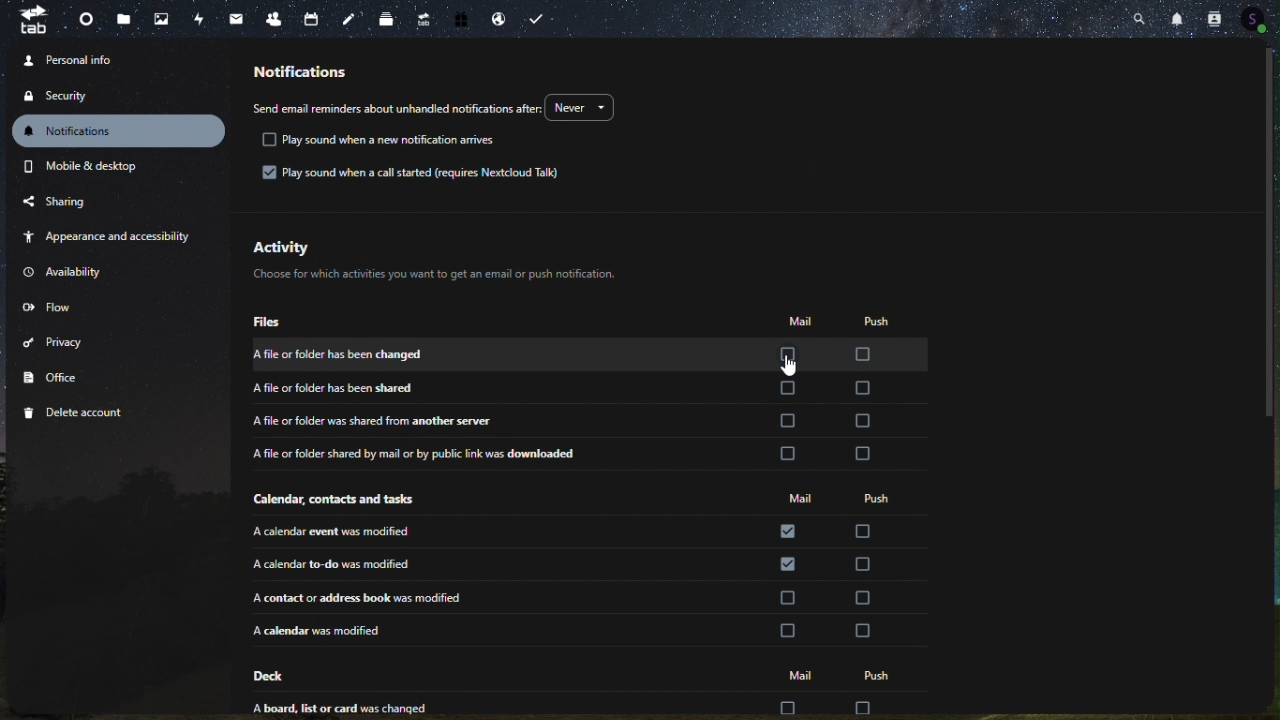  I want to click on sharing, so click(83, 199).